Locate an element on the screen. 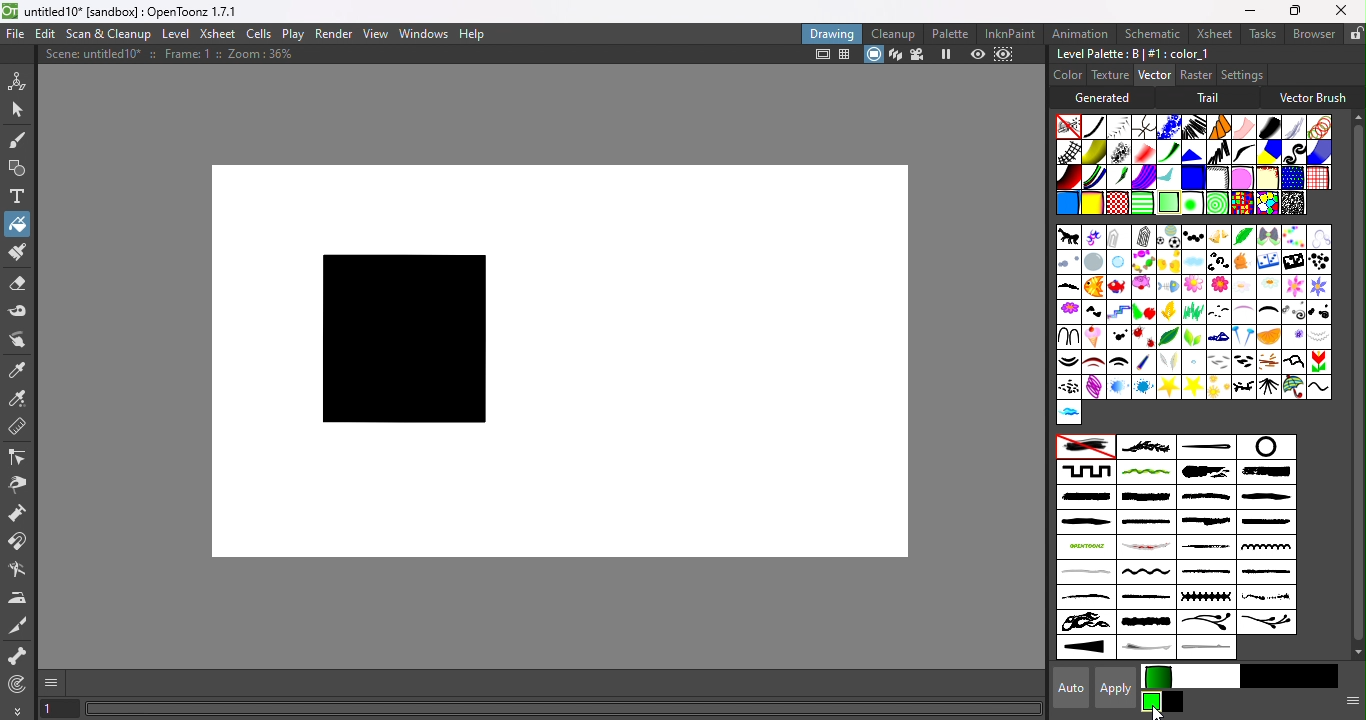 This screenshot has width=1366, height=720. Fill tool is located at coordinates (17, 223).